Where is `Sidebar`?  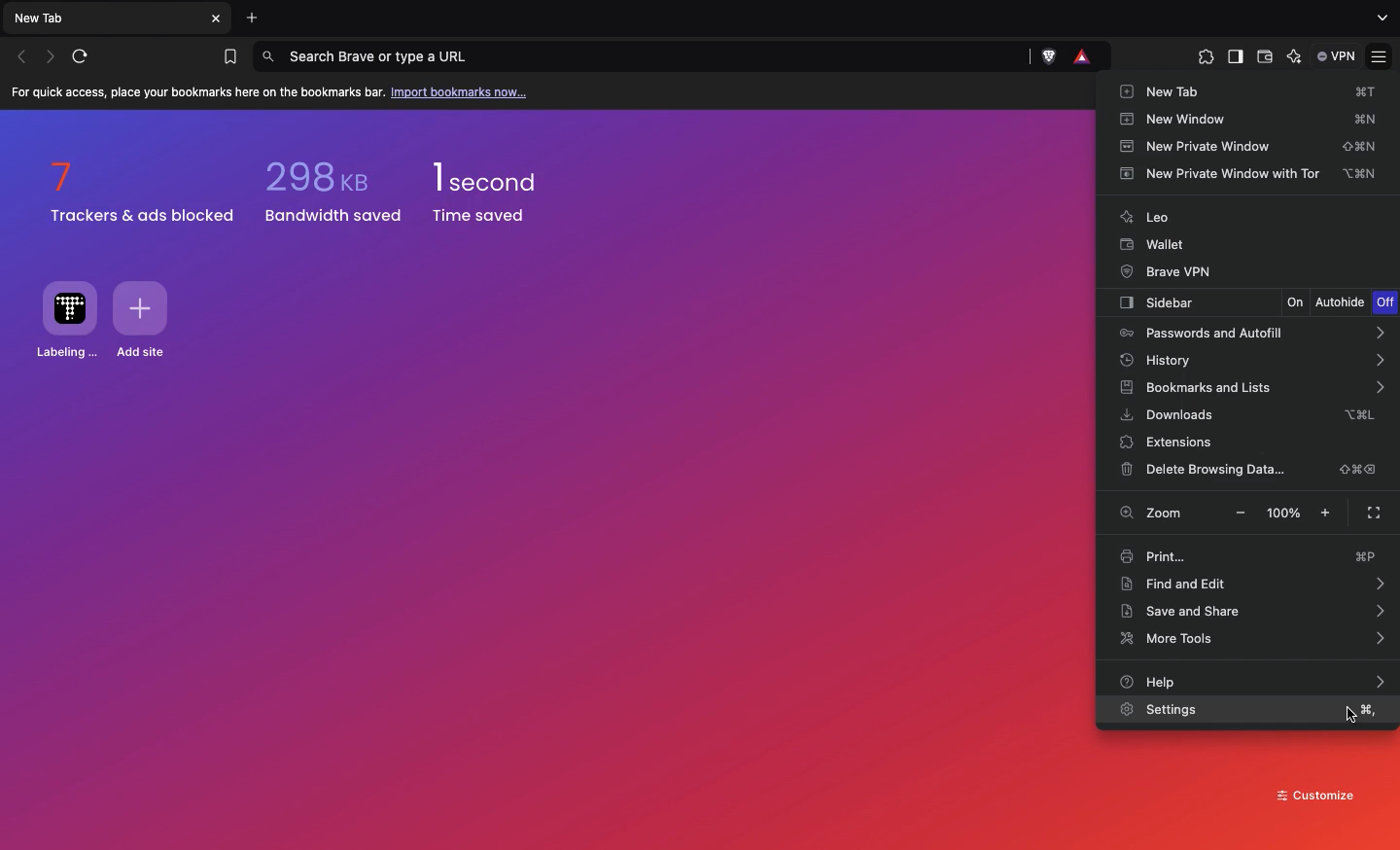
Sidebar is located at coordinates (1234, 58).